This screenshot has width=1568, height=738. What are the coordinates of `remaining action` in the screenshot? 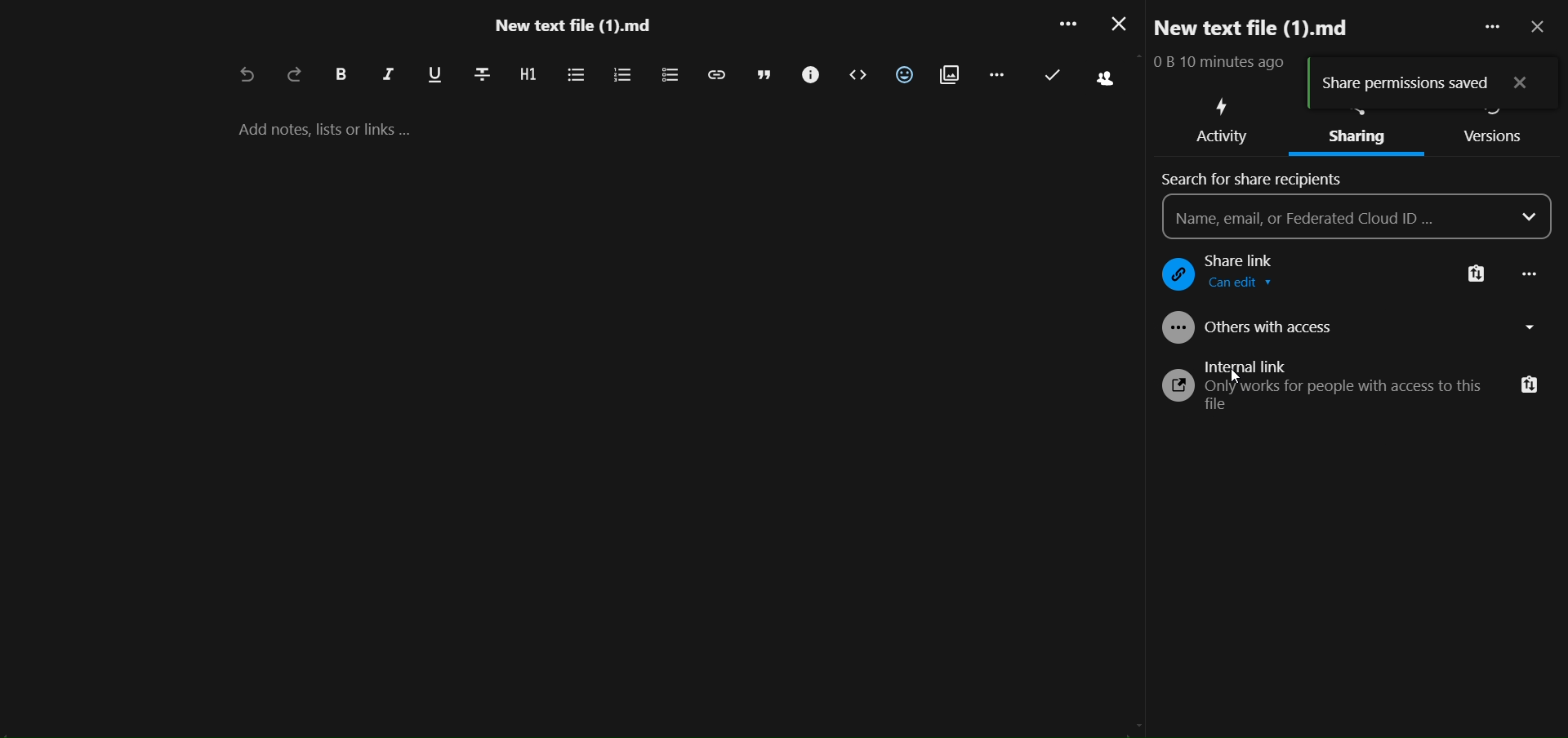 It's located at (996, 73).